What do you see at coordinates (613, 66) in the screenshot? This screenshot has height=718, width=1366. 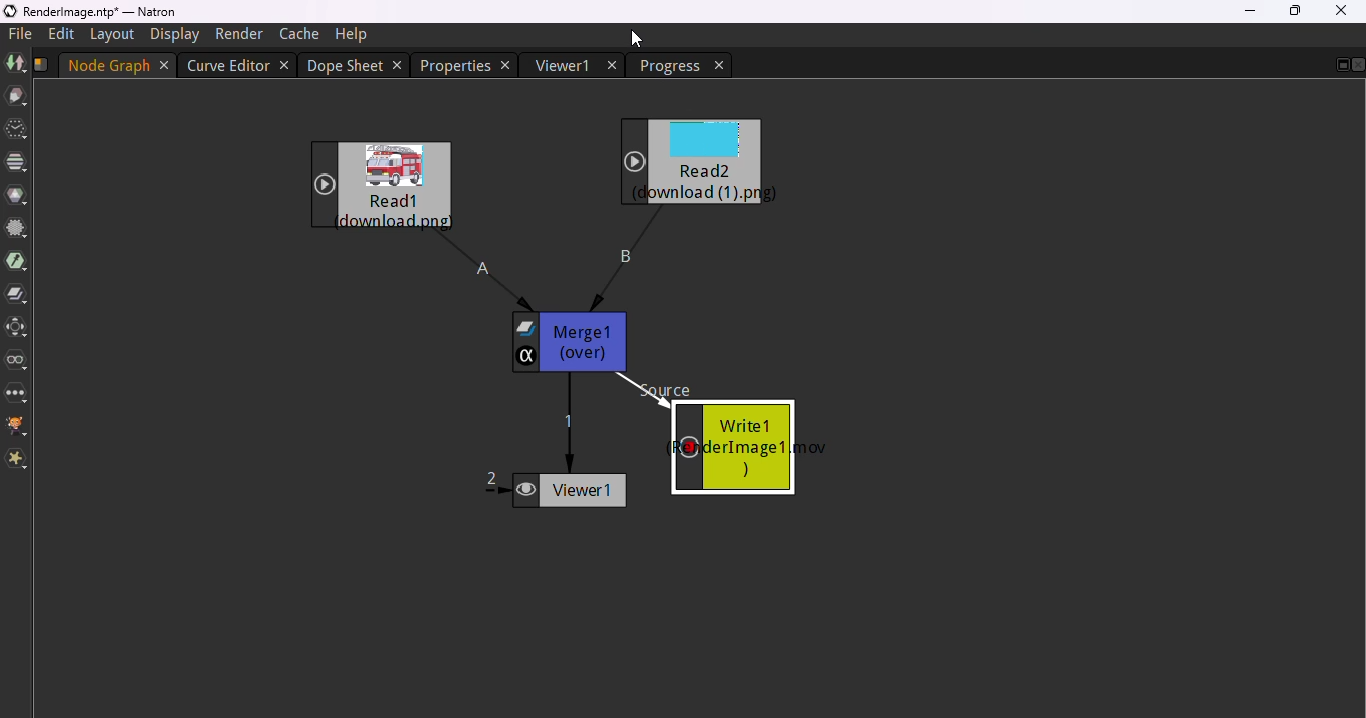 I see `close tab` at bounding box center [613, 66].